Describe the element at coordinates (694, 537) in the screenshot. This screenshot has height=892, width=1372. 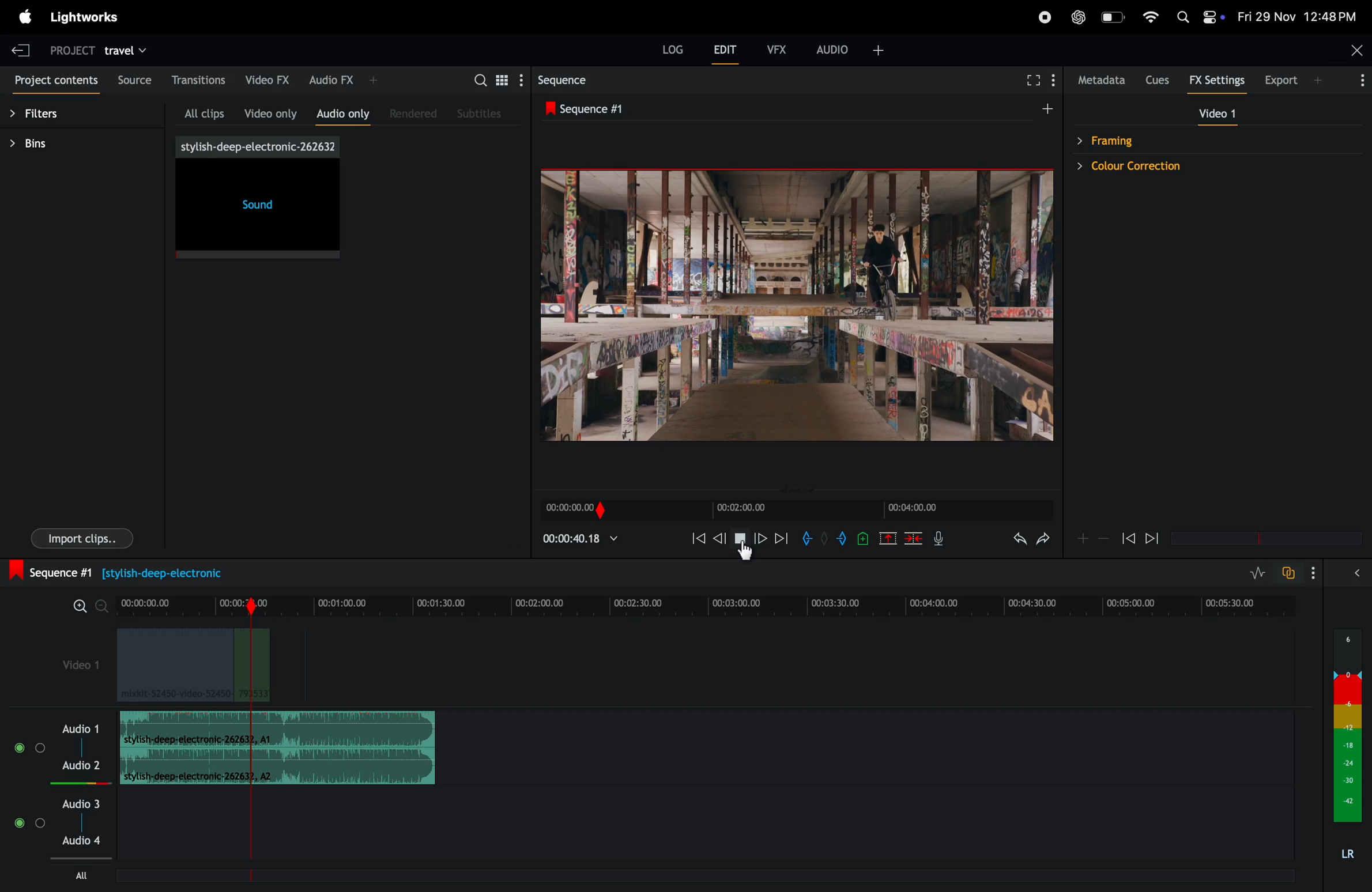
I see `previous frame` at that location.